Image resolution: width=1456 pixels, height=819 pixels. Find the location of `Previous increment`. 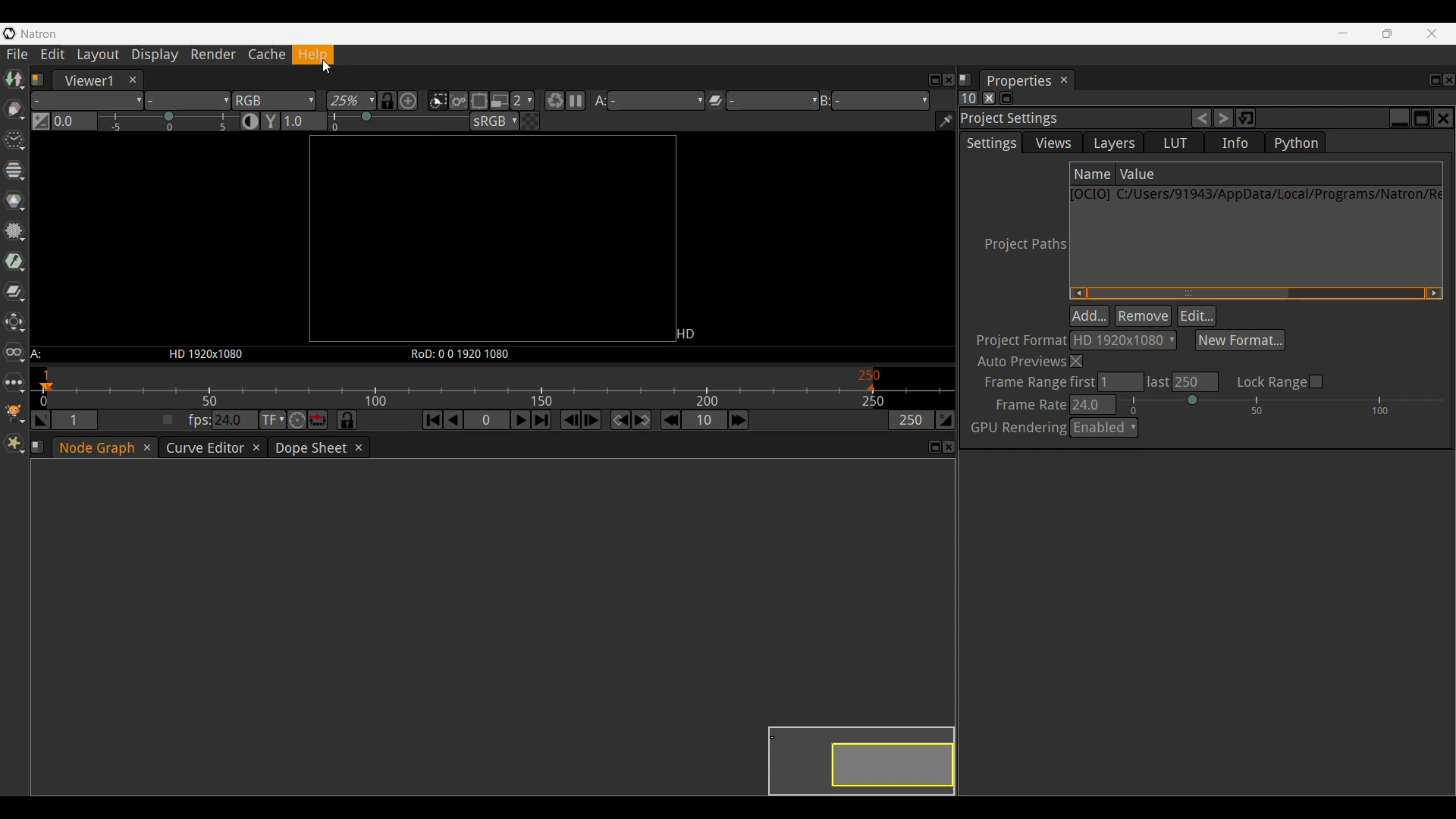

Previous increment is located at coordinates (671, 420).